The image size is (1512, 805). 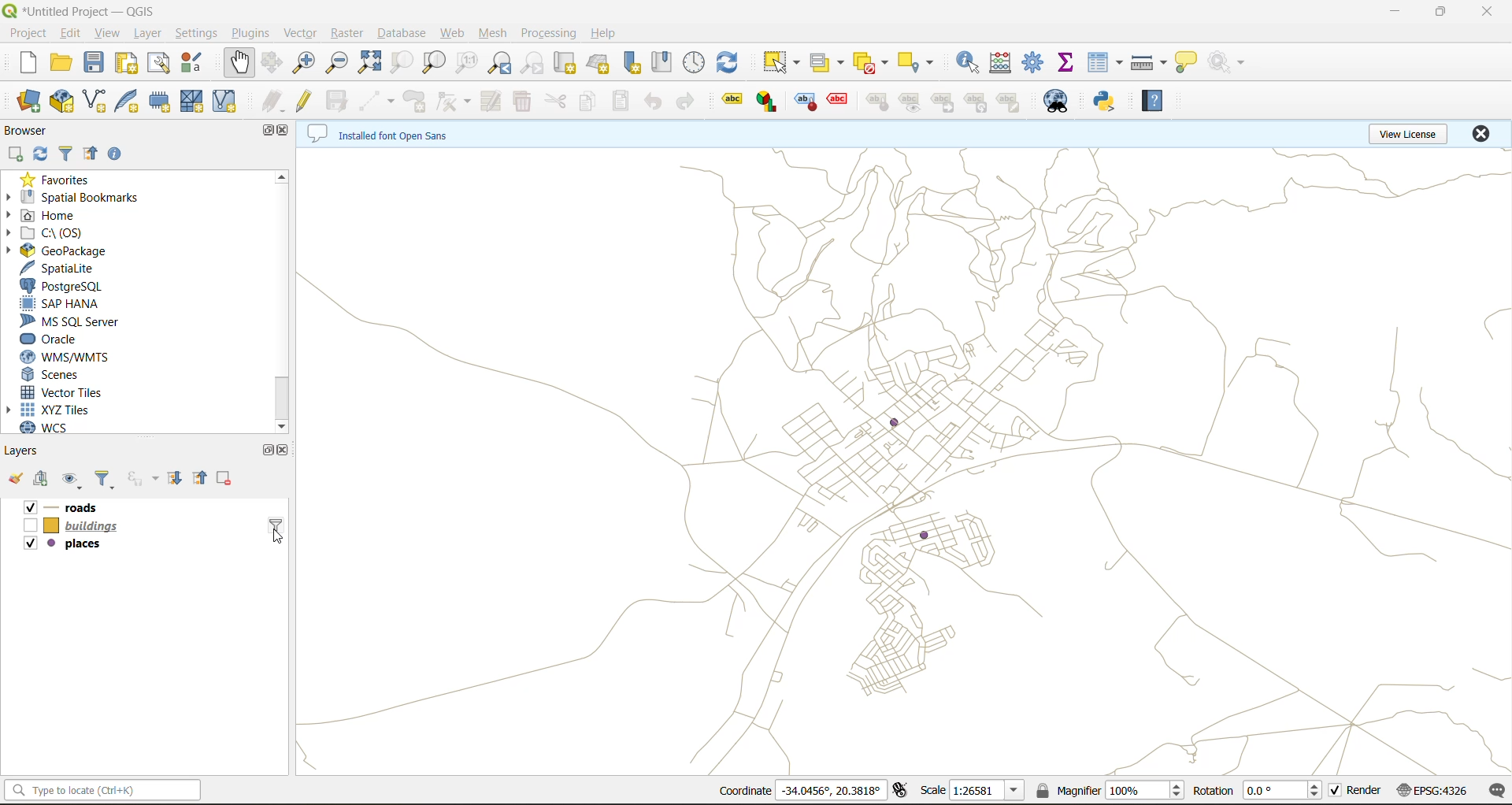 I want to click on zoom selection, so click(x=400, y=64).